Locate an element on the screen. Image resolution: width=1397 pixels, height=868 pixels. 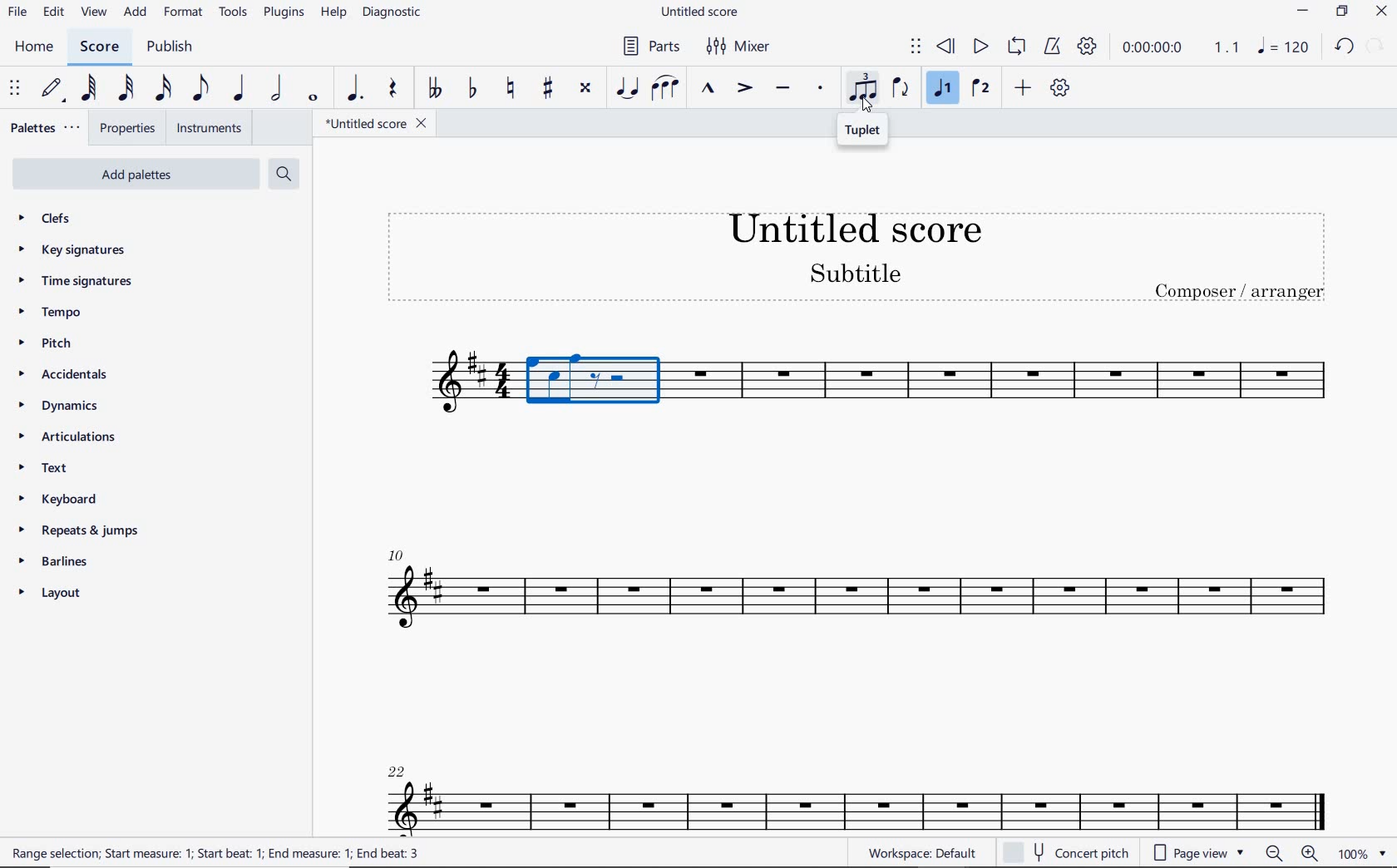
FILE is located at coordinates (16, 12).